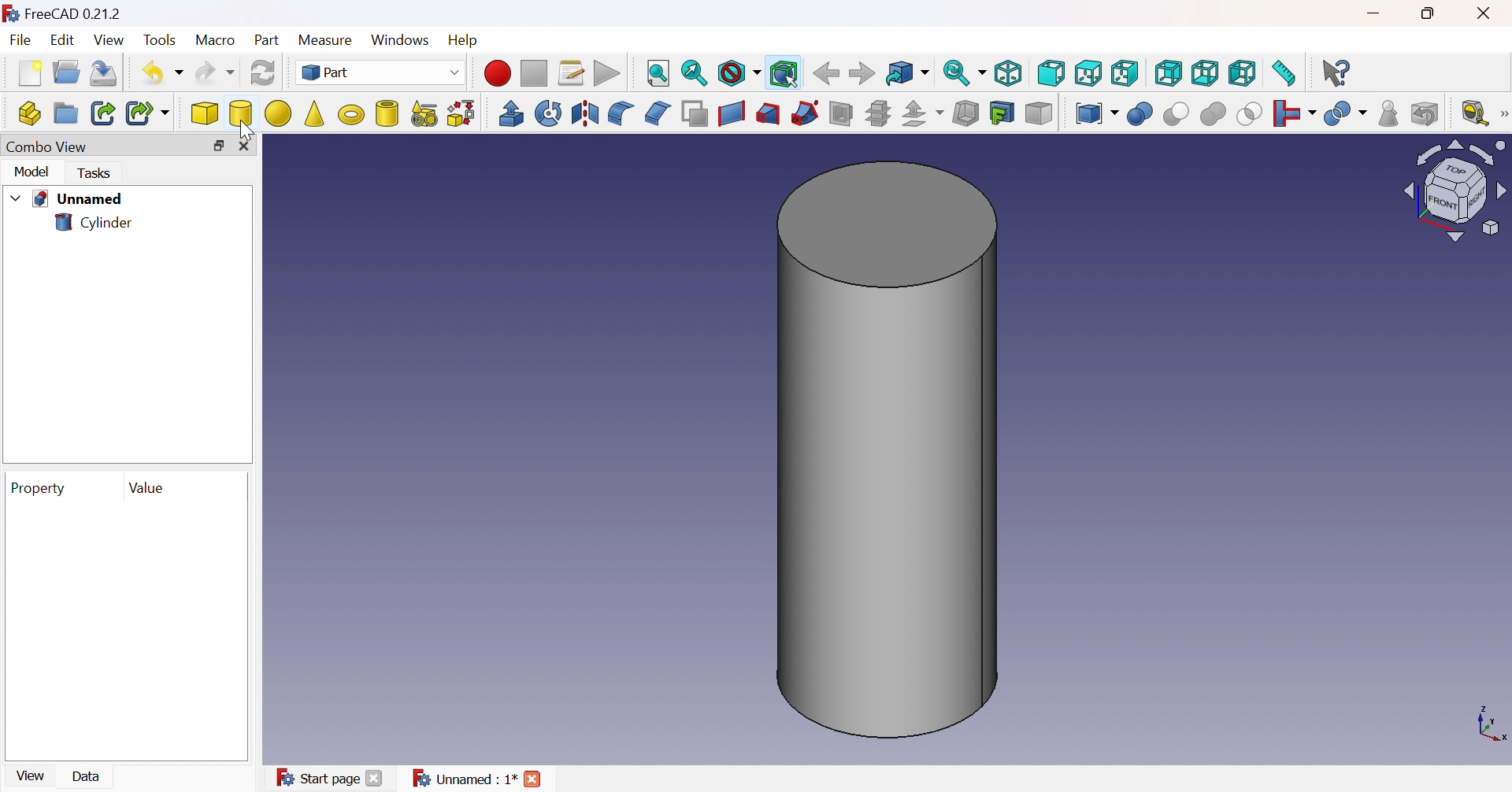 The image size is (1512, 792). I want to click on Part, so click(268, 42).